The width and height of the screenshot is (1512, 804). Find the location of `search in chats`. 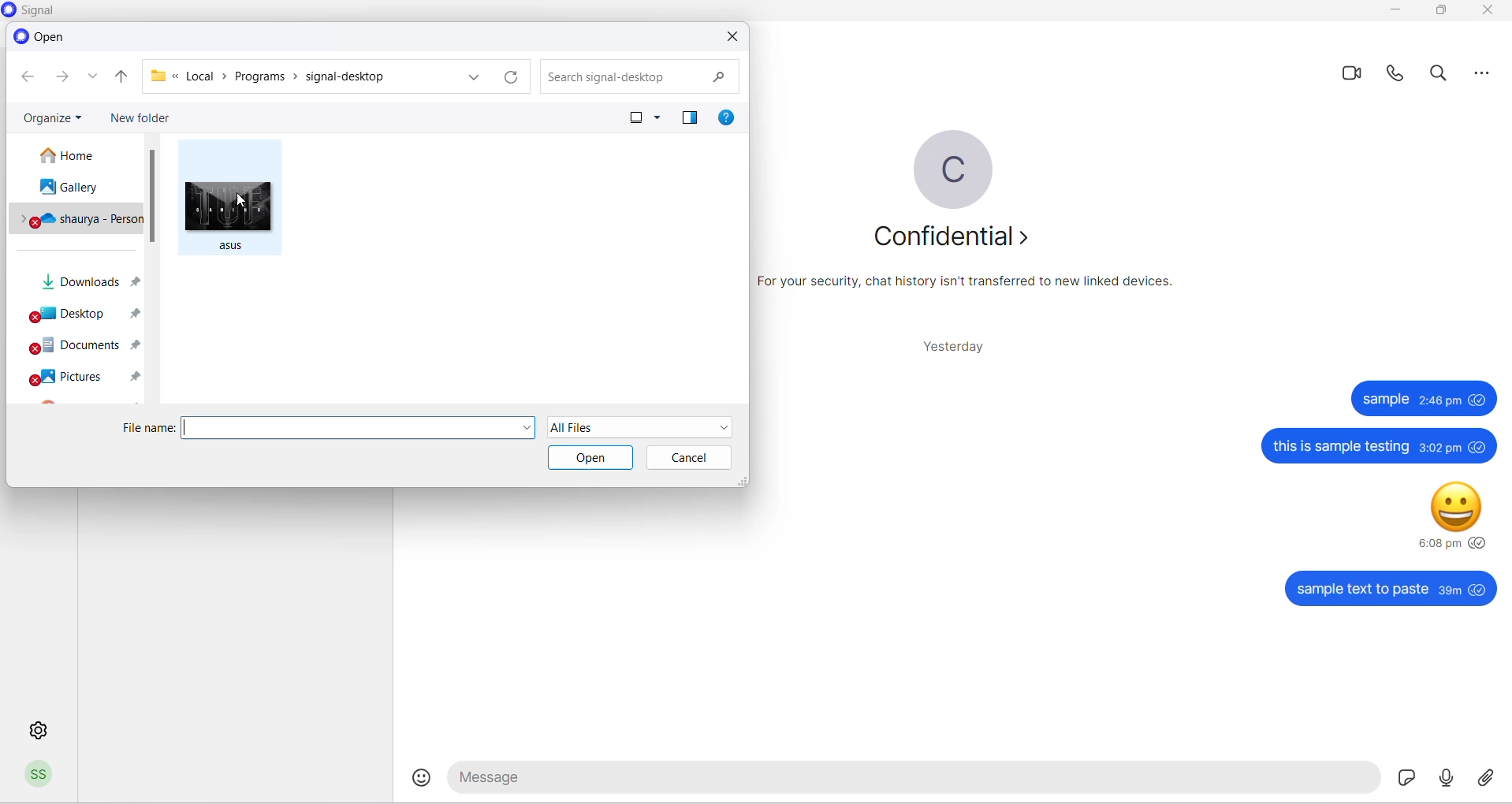

search in chats is located at coordinates (1443, 77).